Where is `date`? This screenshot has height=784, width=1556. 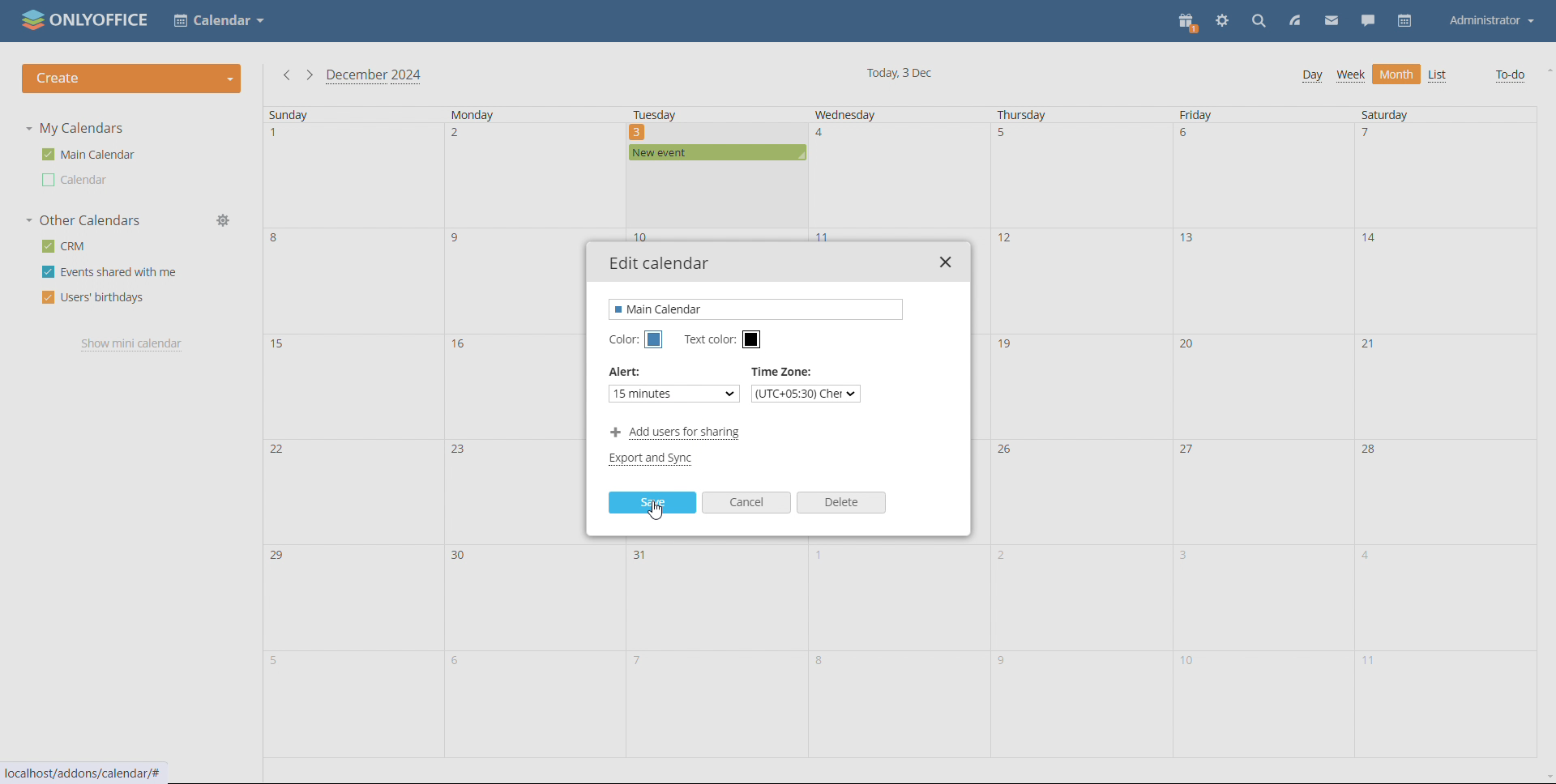
date is located at coordinates (1080, 387).